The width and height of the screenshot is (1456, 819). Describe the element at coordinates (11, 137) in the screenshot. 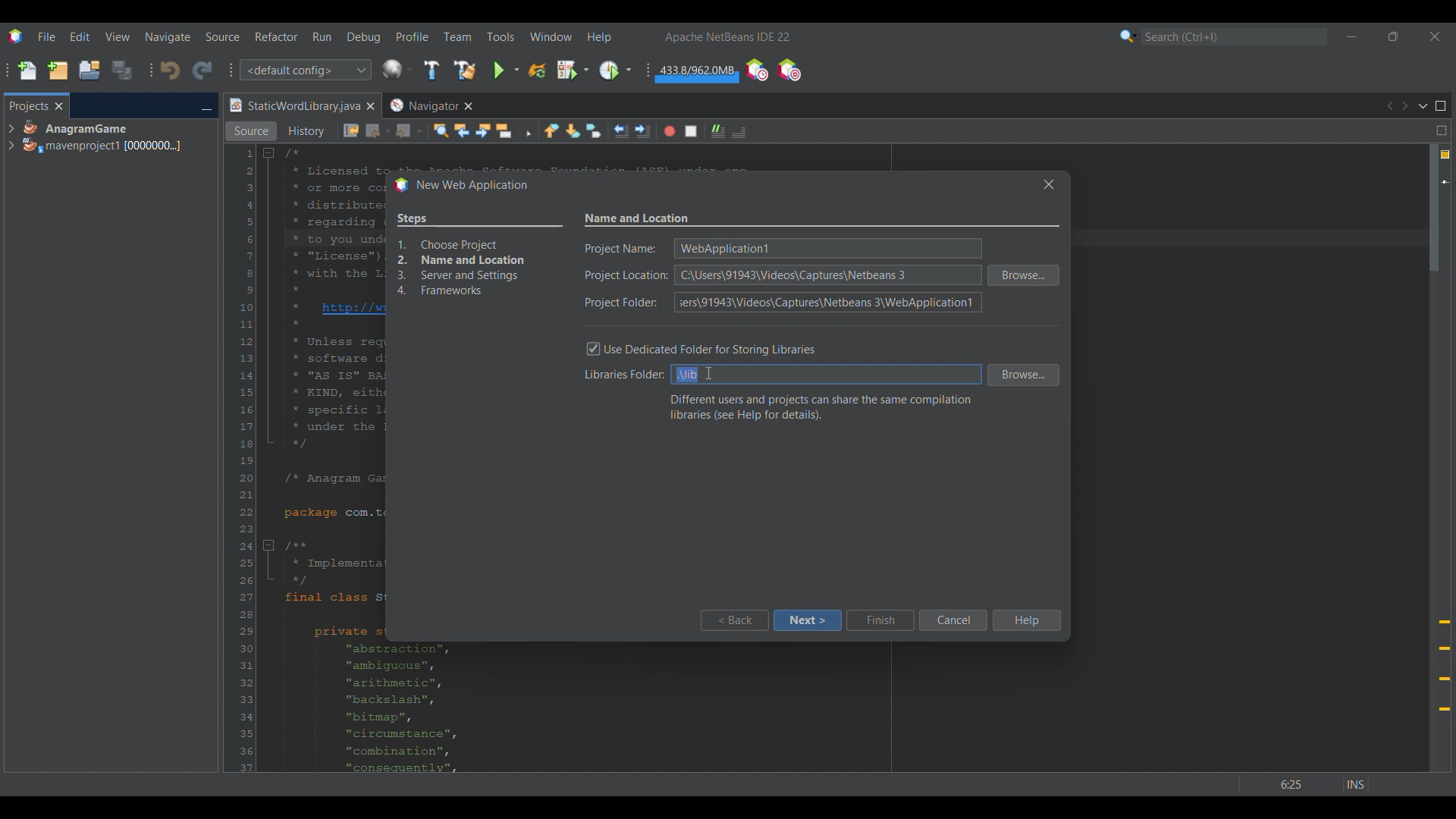

I see `Expand` at that location.